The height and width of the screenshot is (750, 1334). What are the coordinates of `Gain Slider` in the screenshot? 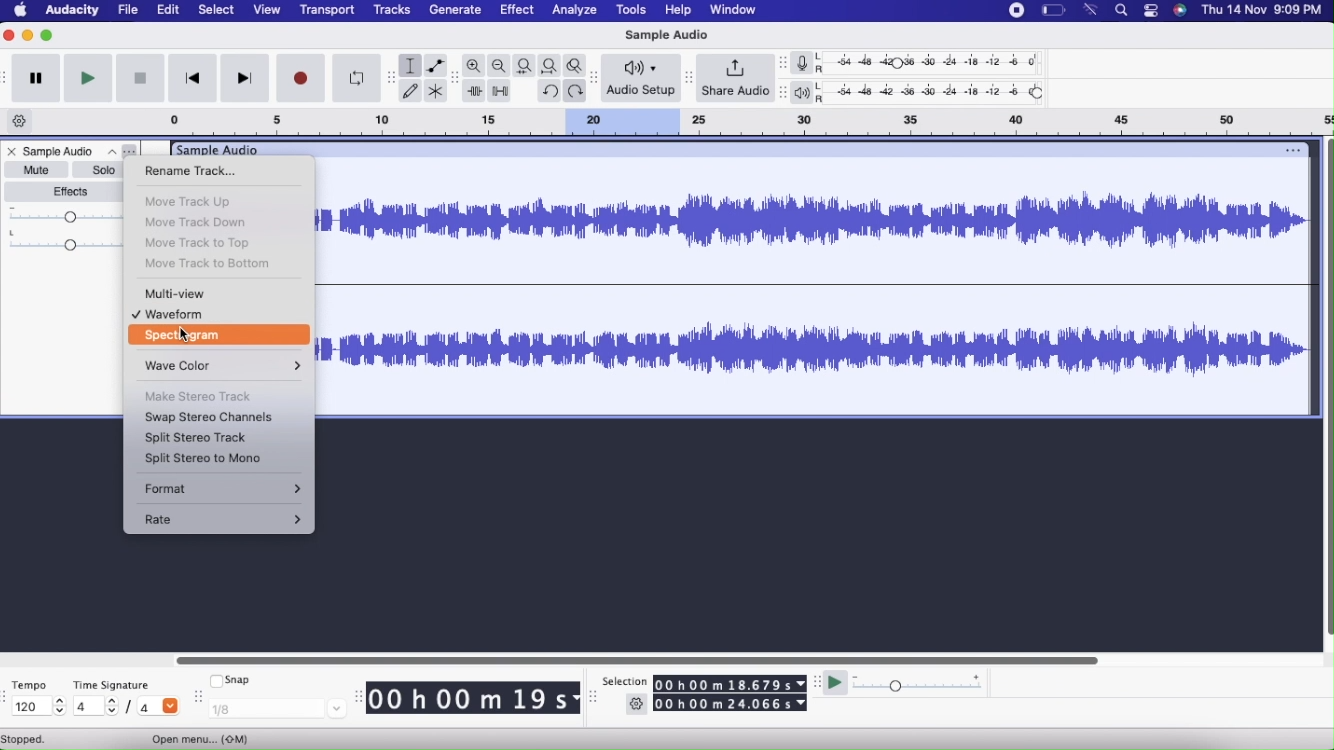 It's located at (60, 215).